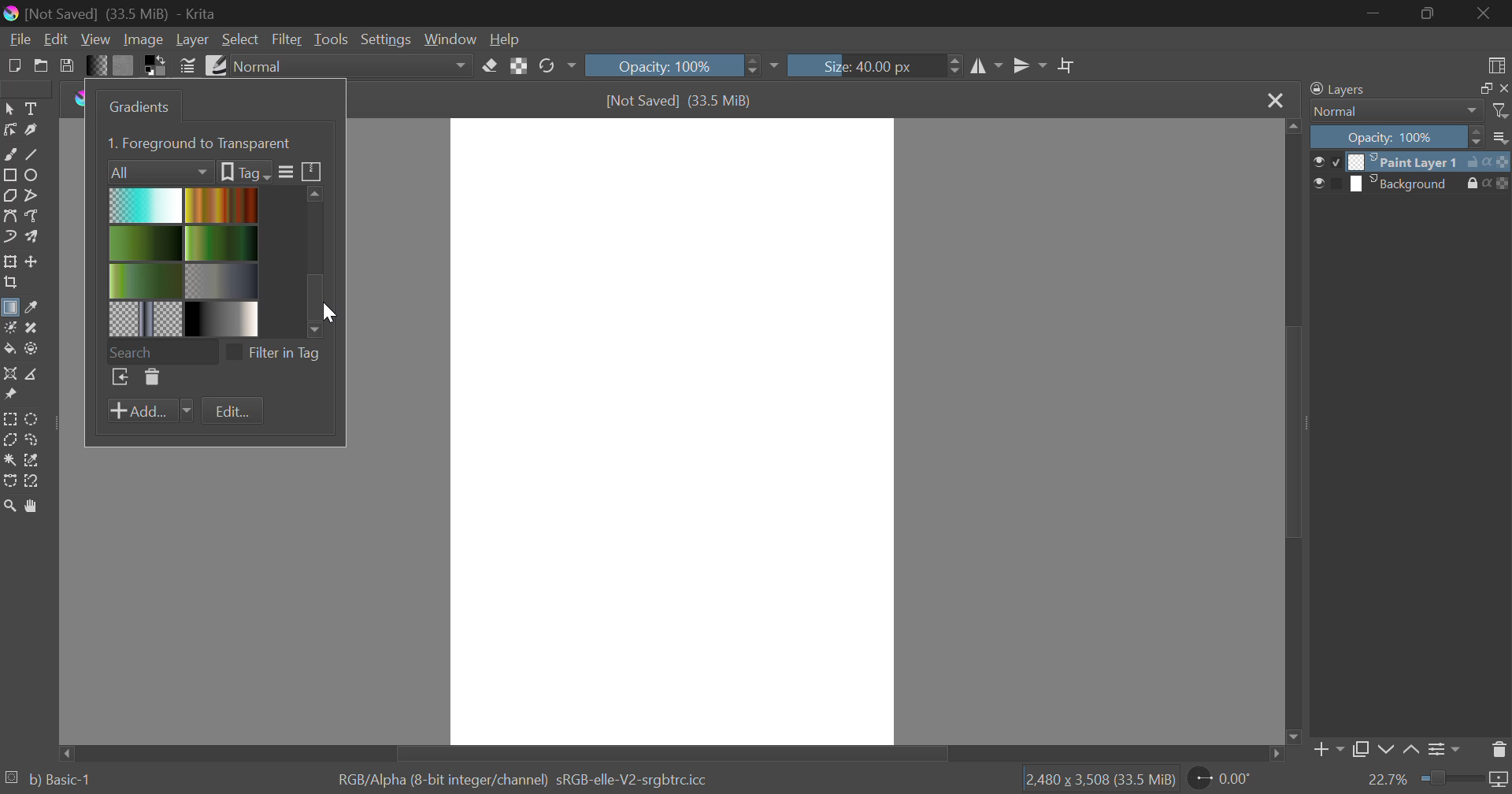  Describe the element at coordinates (1291, 433) in the screenshot. I see `Scroll Bar` at that location.